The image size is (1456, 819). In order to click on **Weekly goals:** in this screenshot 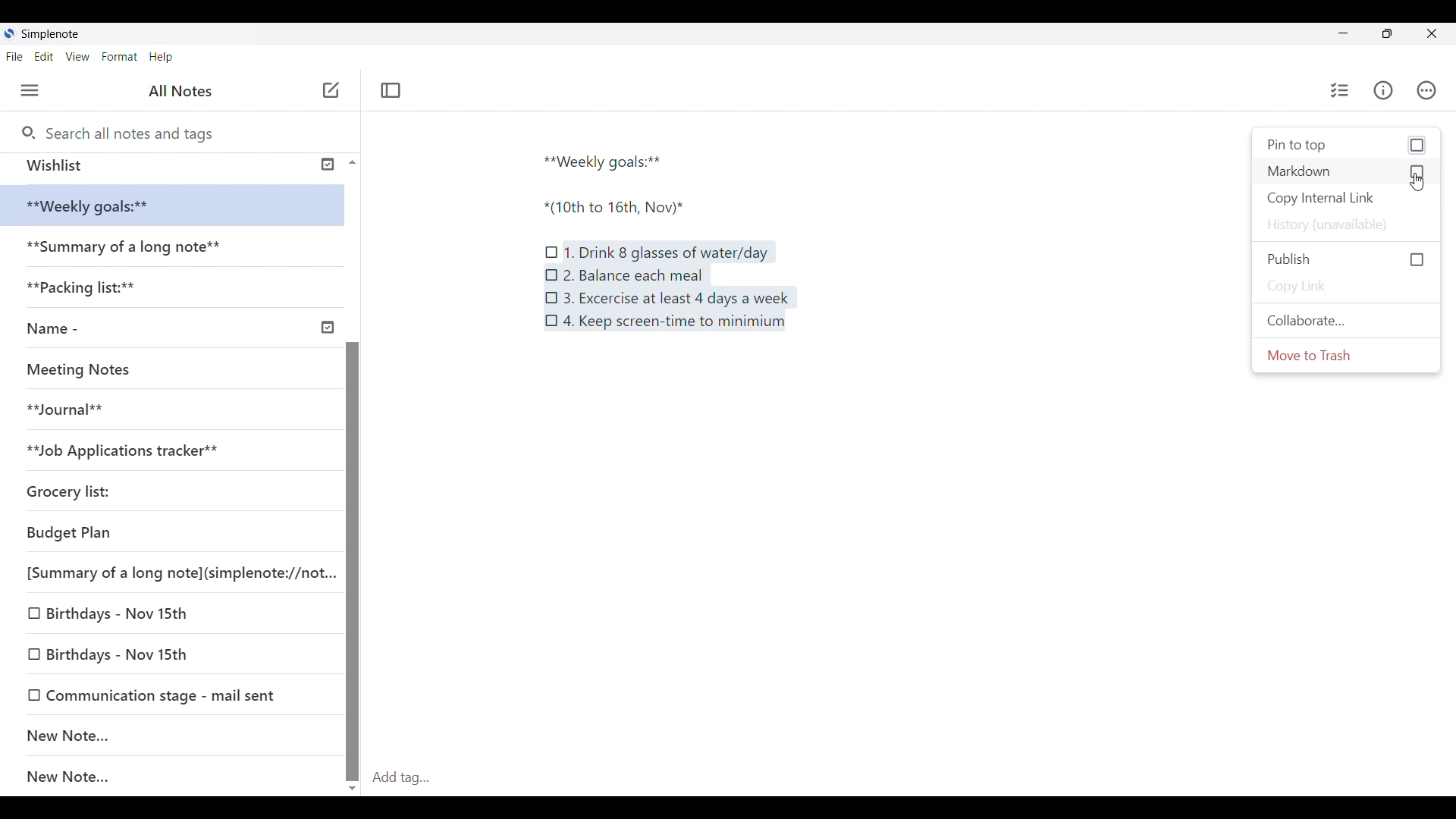, I will do `click(609, 159)`.